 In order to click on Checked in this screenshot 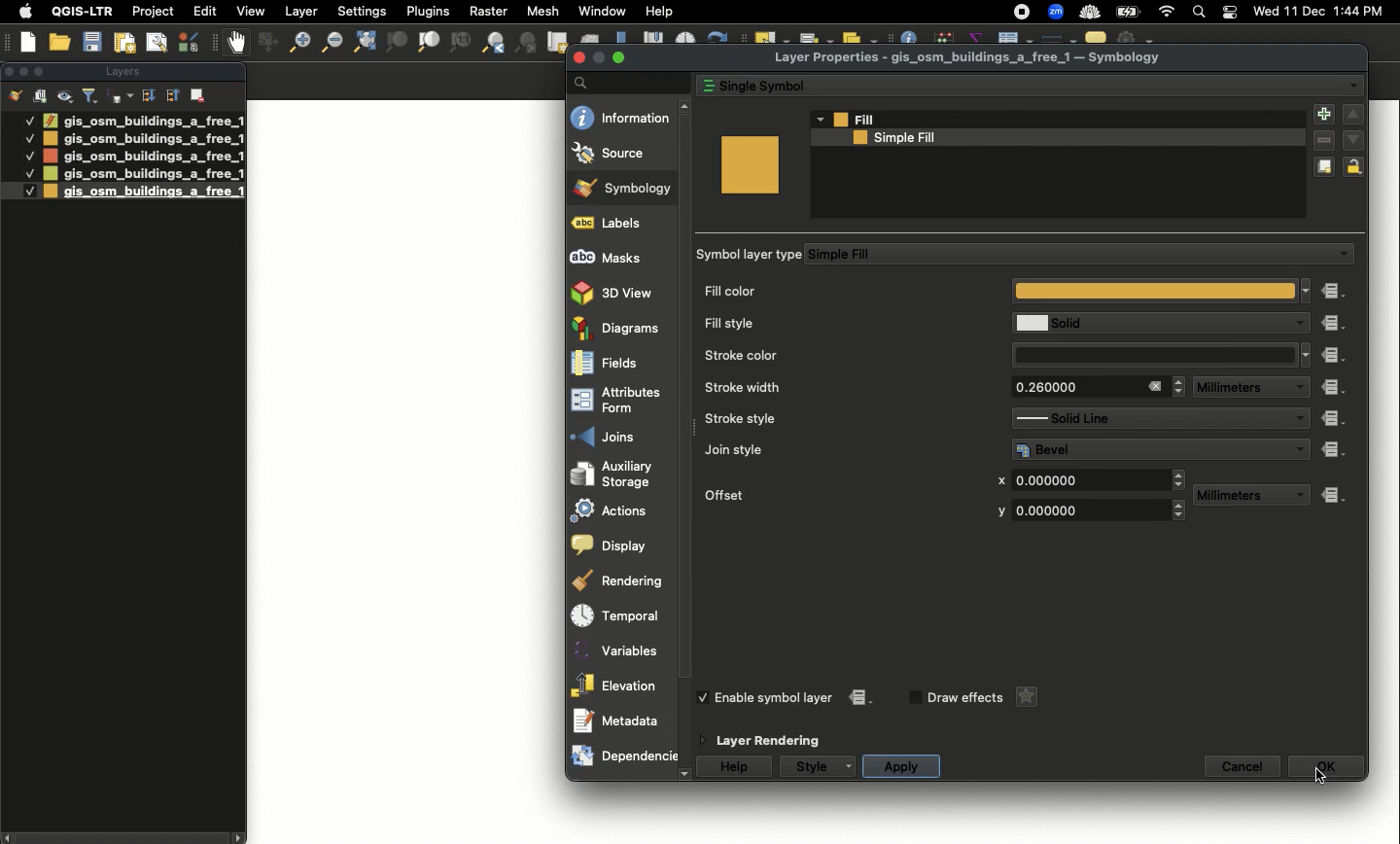, I will do `click(28, 120)`.